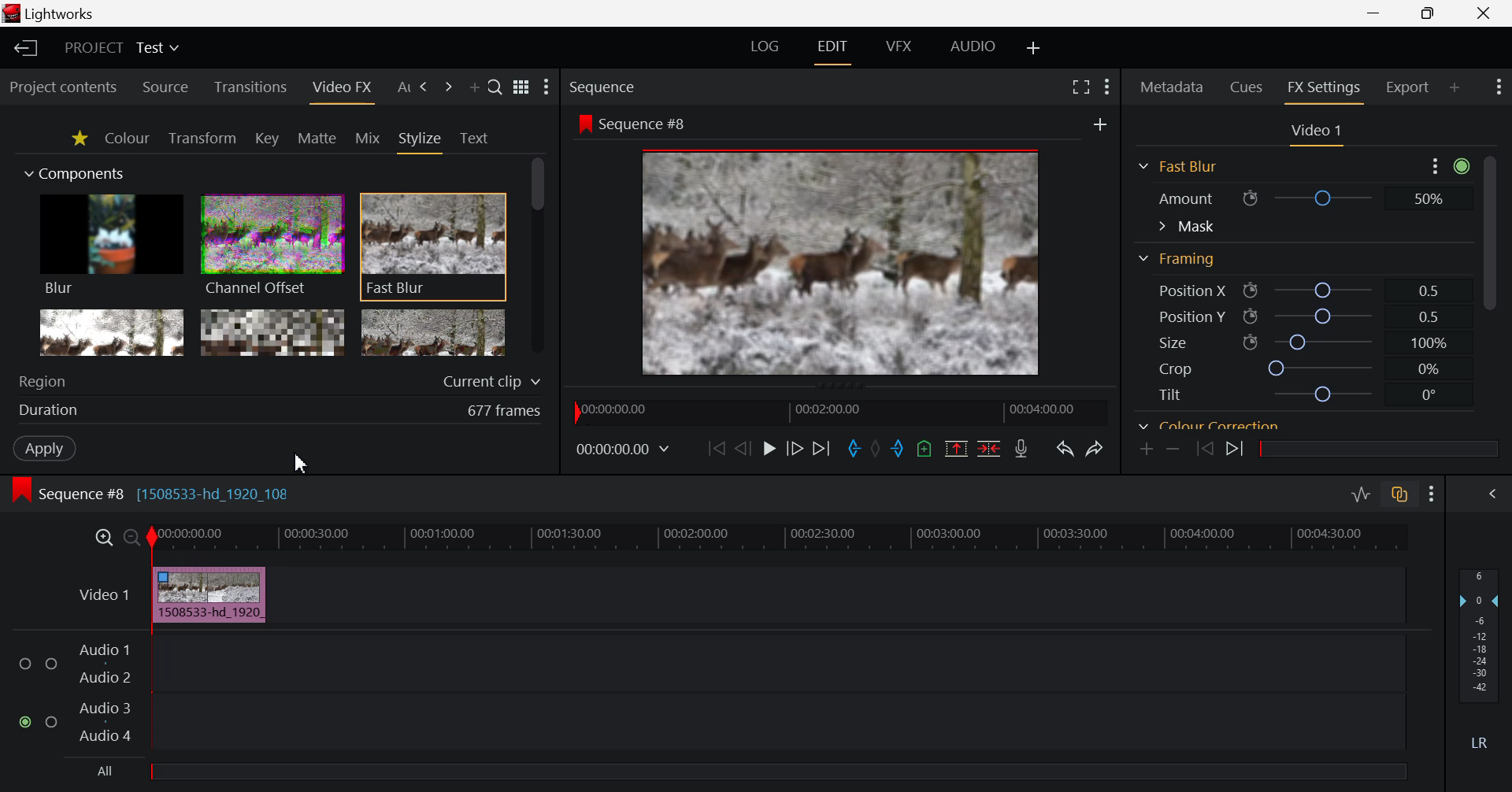 This screenshot has width=1512, height=792. I want to click on Decibel Level, so click(1480, 662).